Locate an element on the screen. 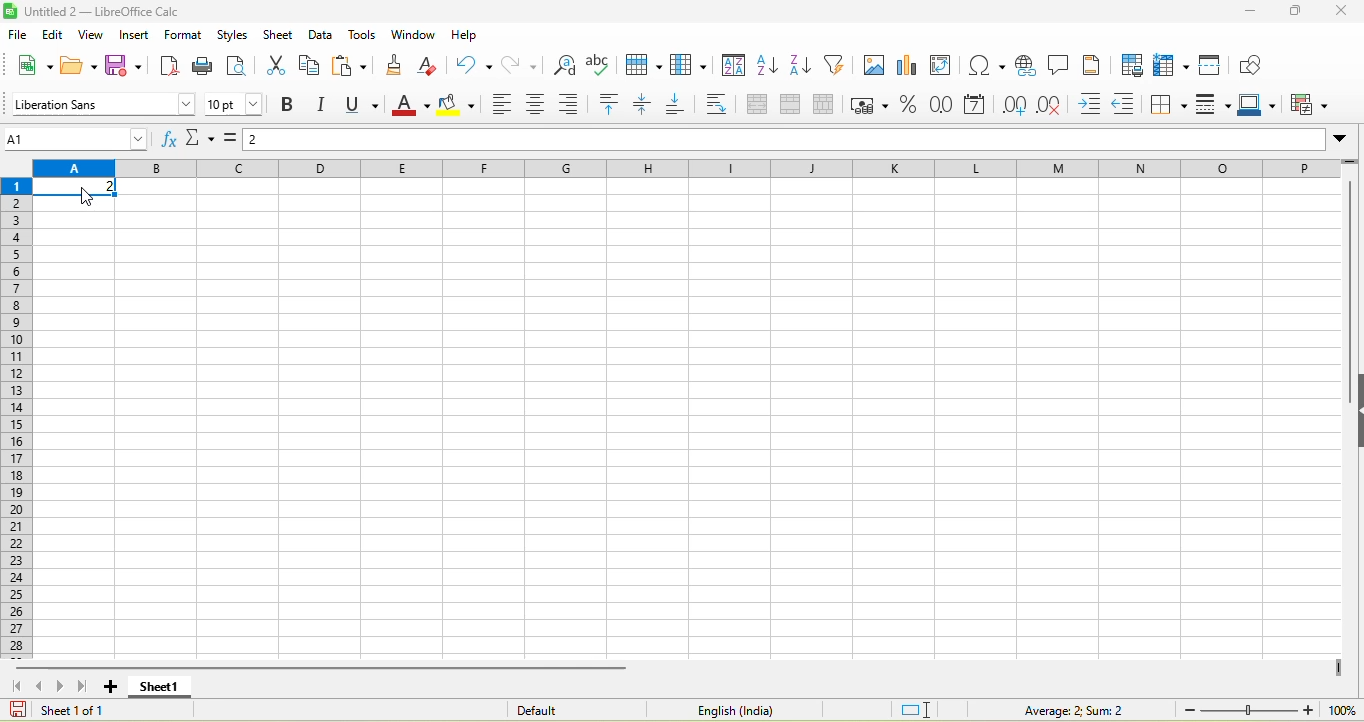 This screenshot has height=722, width=1364. background color is located at coordinates (461, 105).